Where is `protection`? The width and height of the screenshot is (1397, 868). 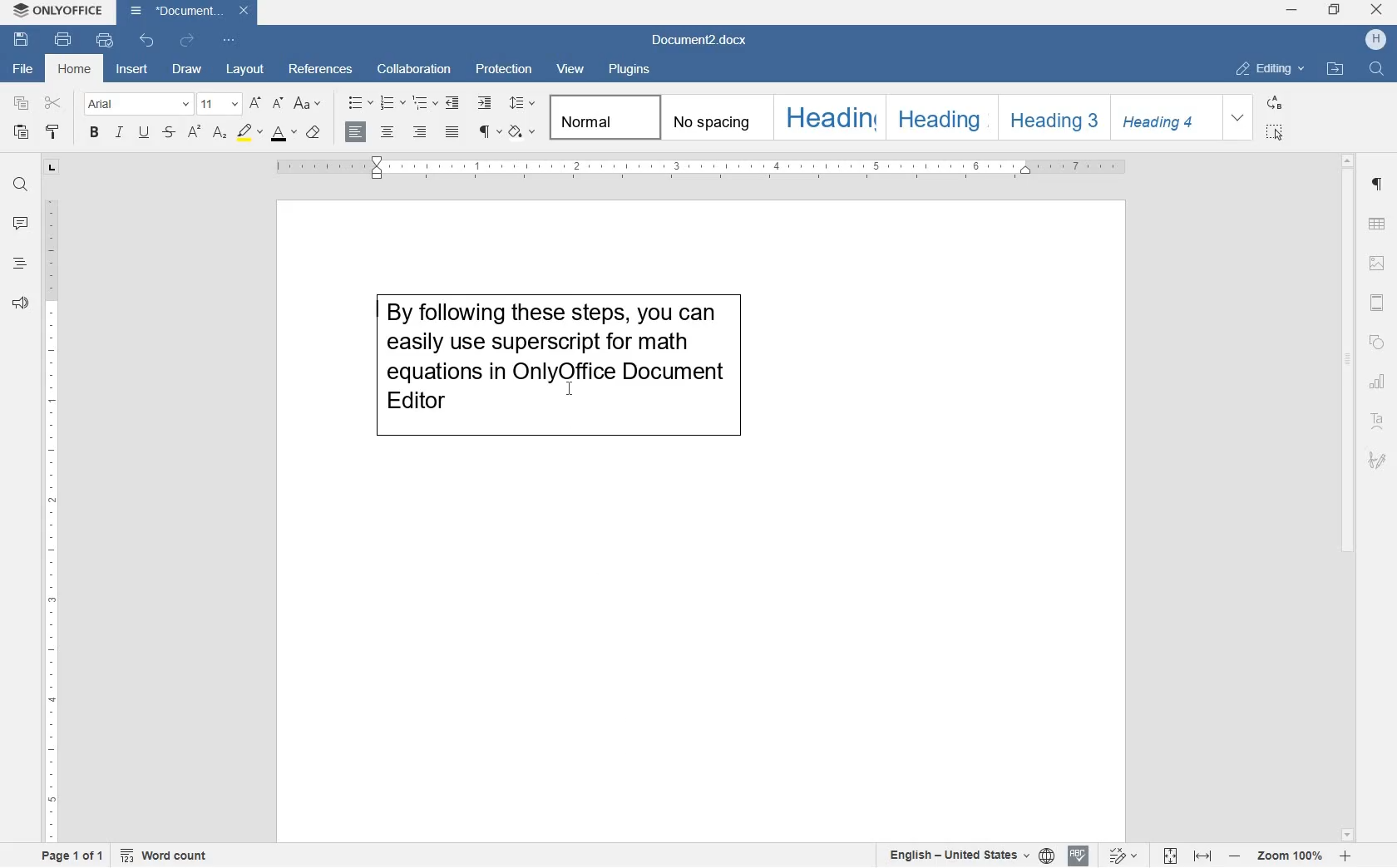 protection is located at coordinates (505, 67).